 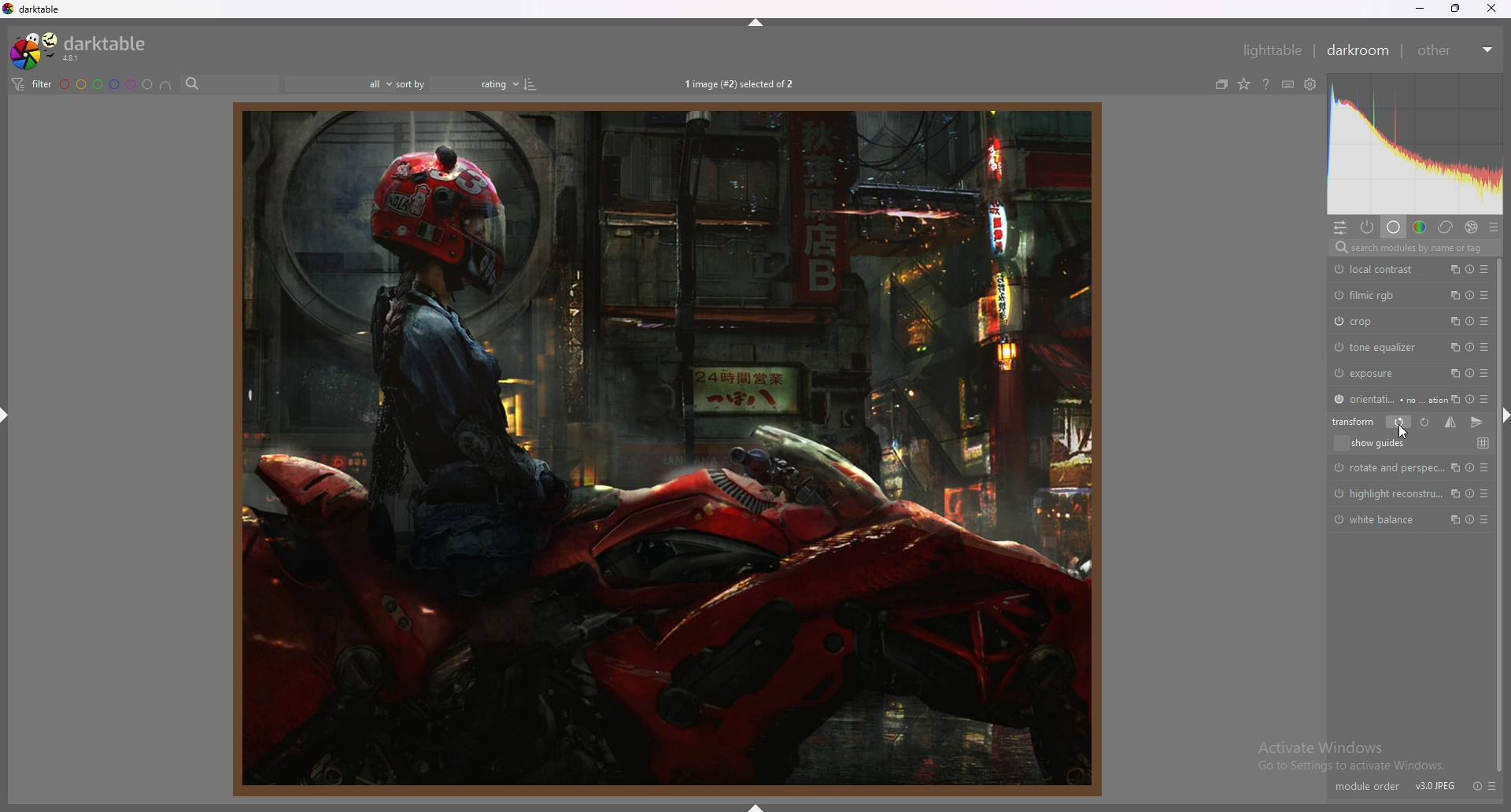 What do you see at coordinates (1415, 145) in the screenshot?
I see `heat map` at bounding box center [1415, 145].